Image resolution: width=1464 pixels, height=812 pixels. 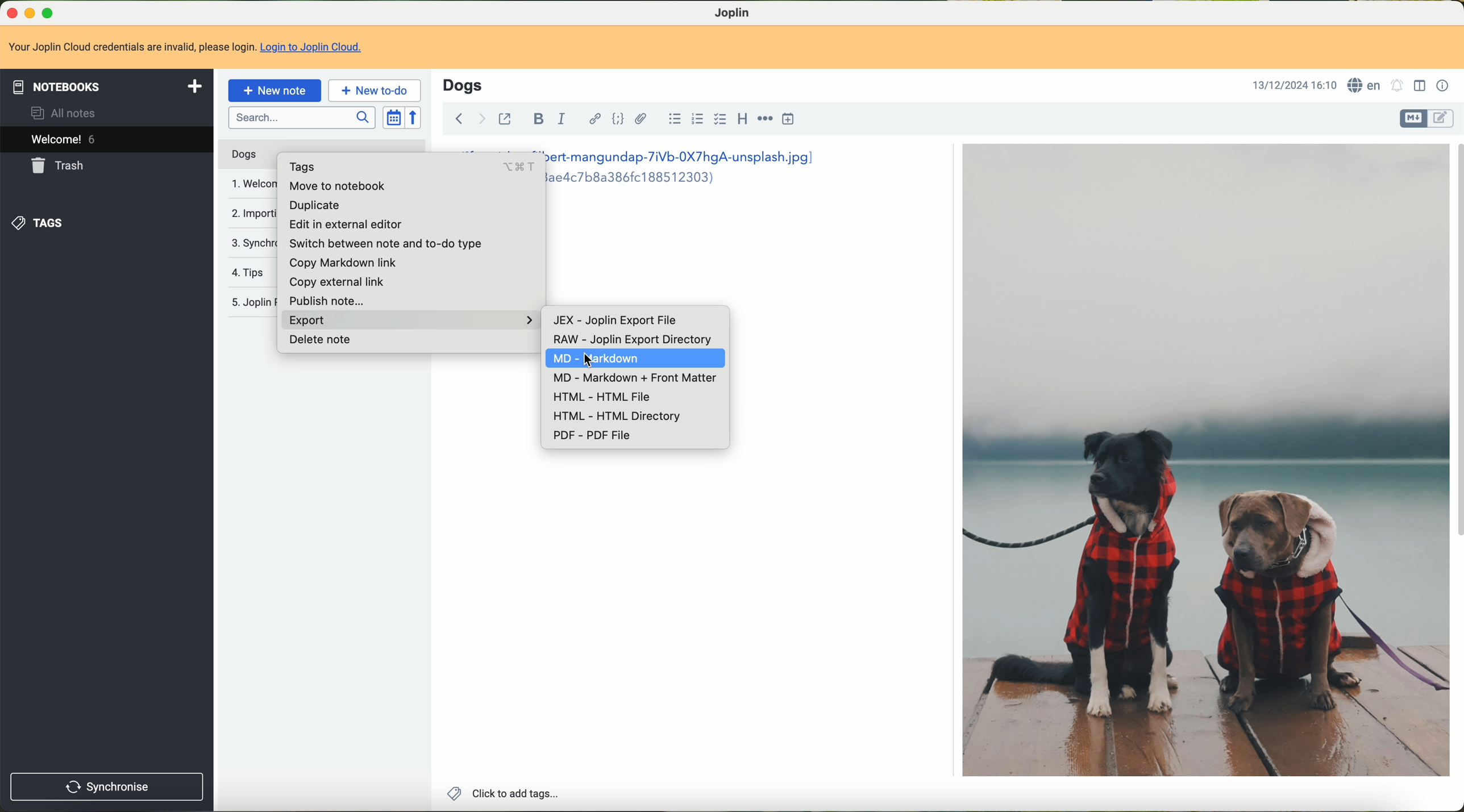 I want to click on trash, so click(x=62, y=165).